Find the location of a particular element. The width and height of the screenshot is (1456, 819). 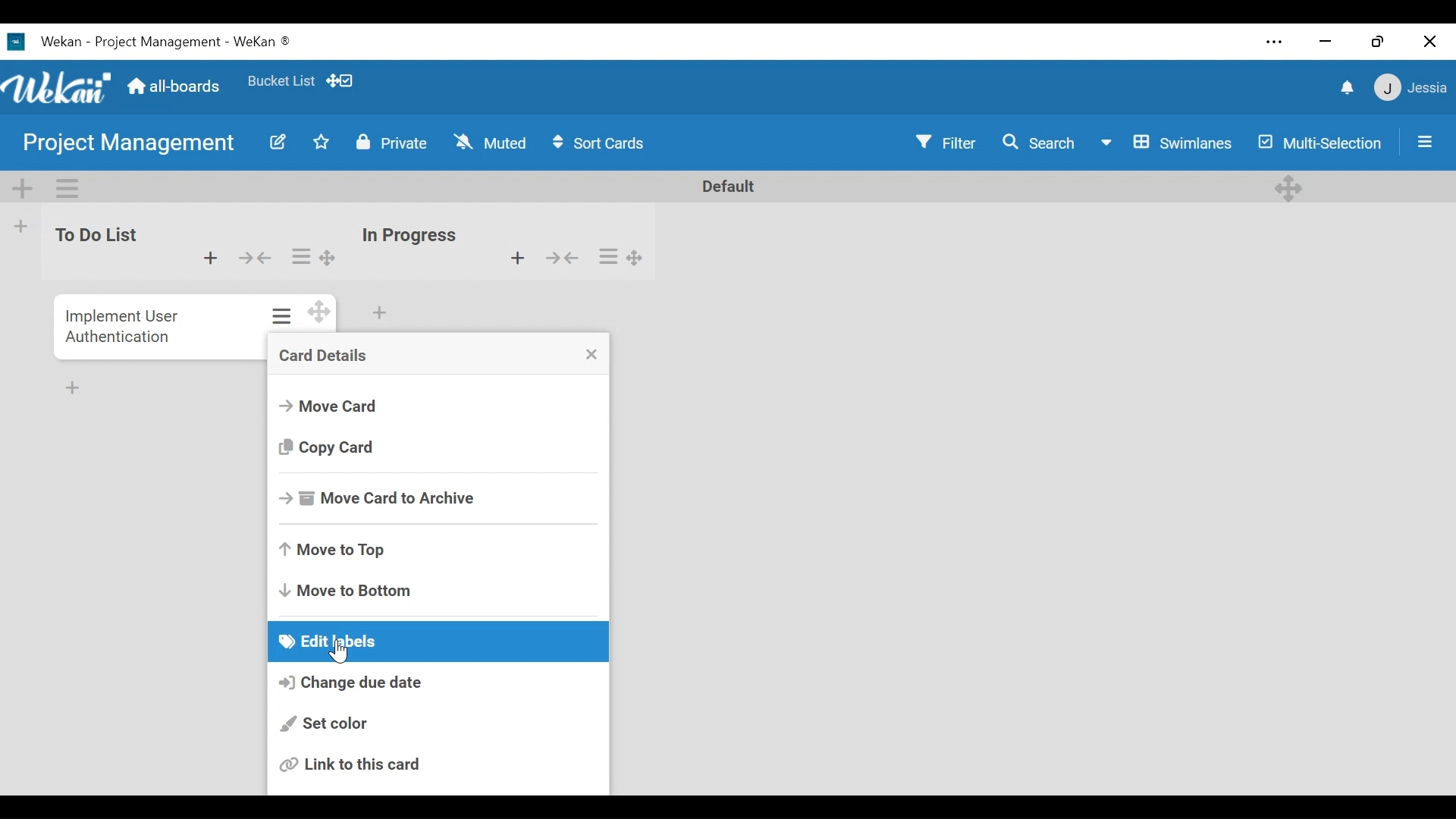

list actions is located at coordinates (300, 258).